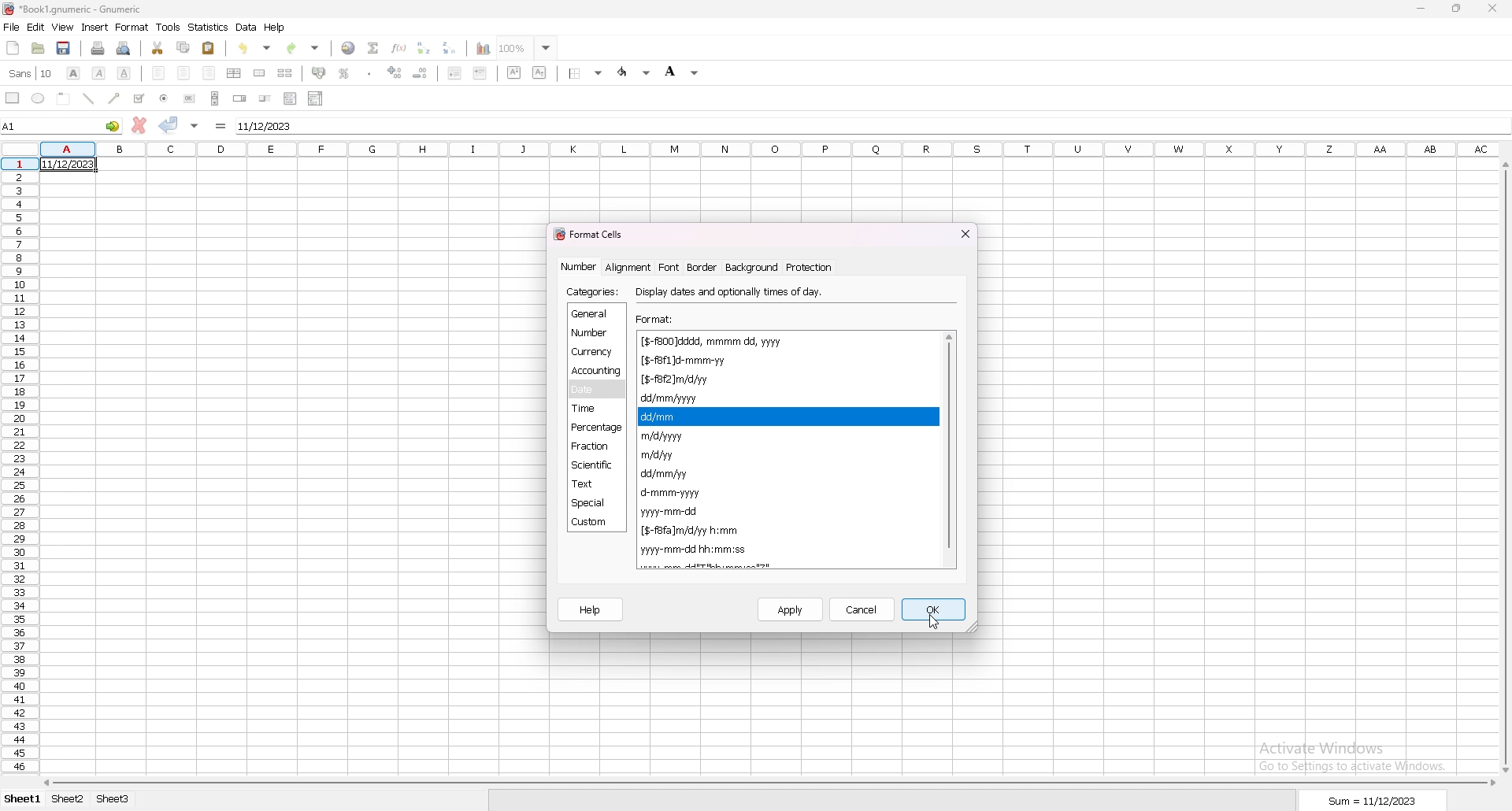  I want to click on decrease indent, so click(455, 72).